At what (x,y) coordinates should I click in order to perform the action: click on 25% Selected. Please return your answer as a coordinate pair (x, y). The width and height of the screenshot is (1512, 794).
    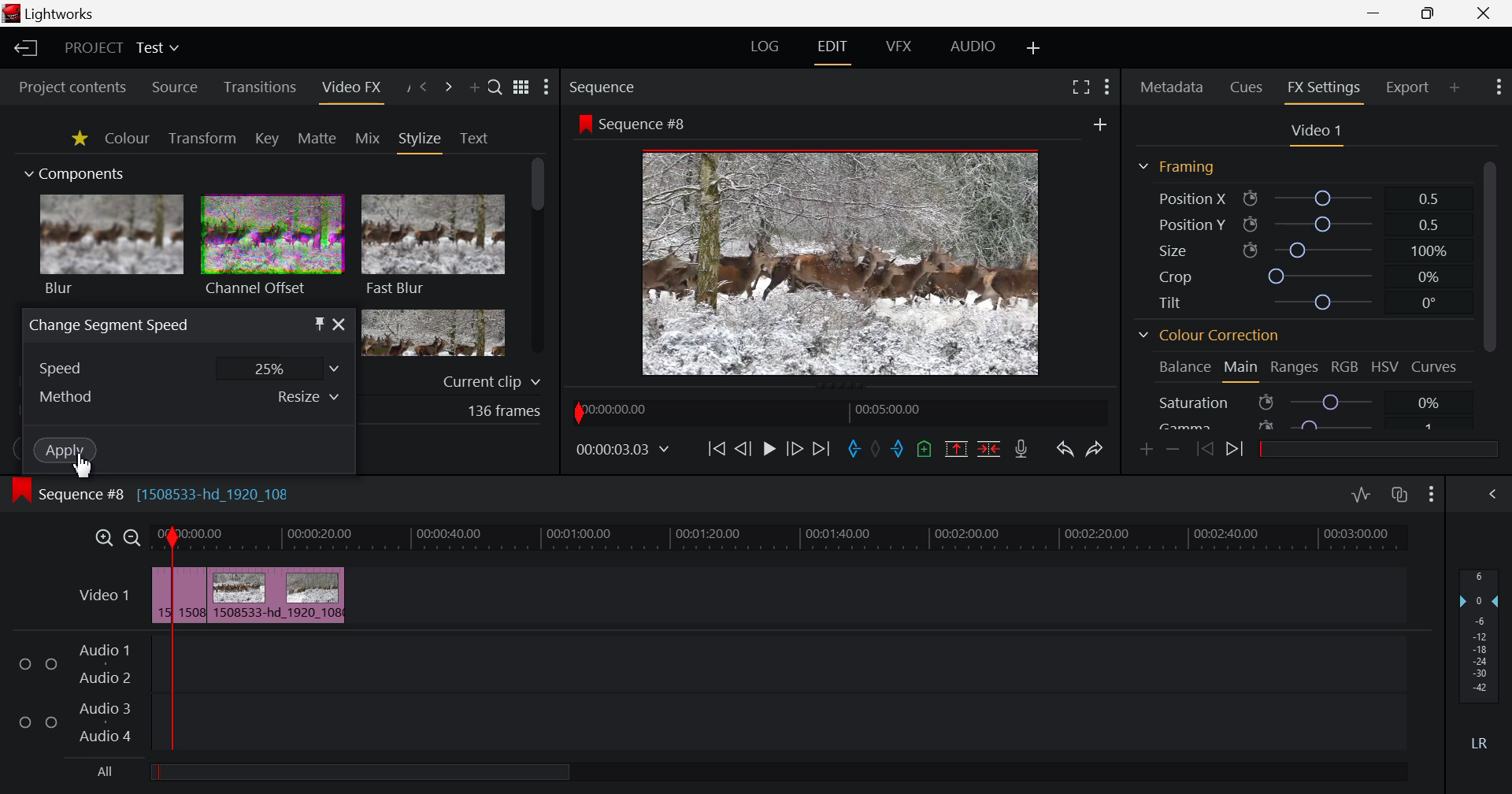
    Looking at the image, I should click on (278, 368).